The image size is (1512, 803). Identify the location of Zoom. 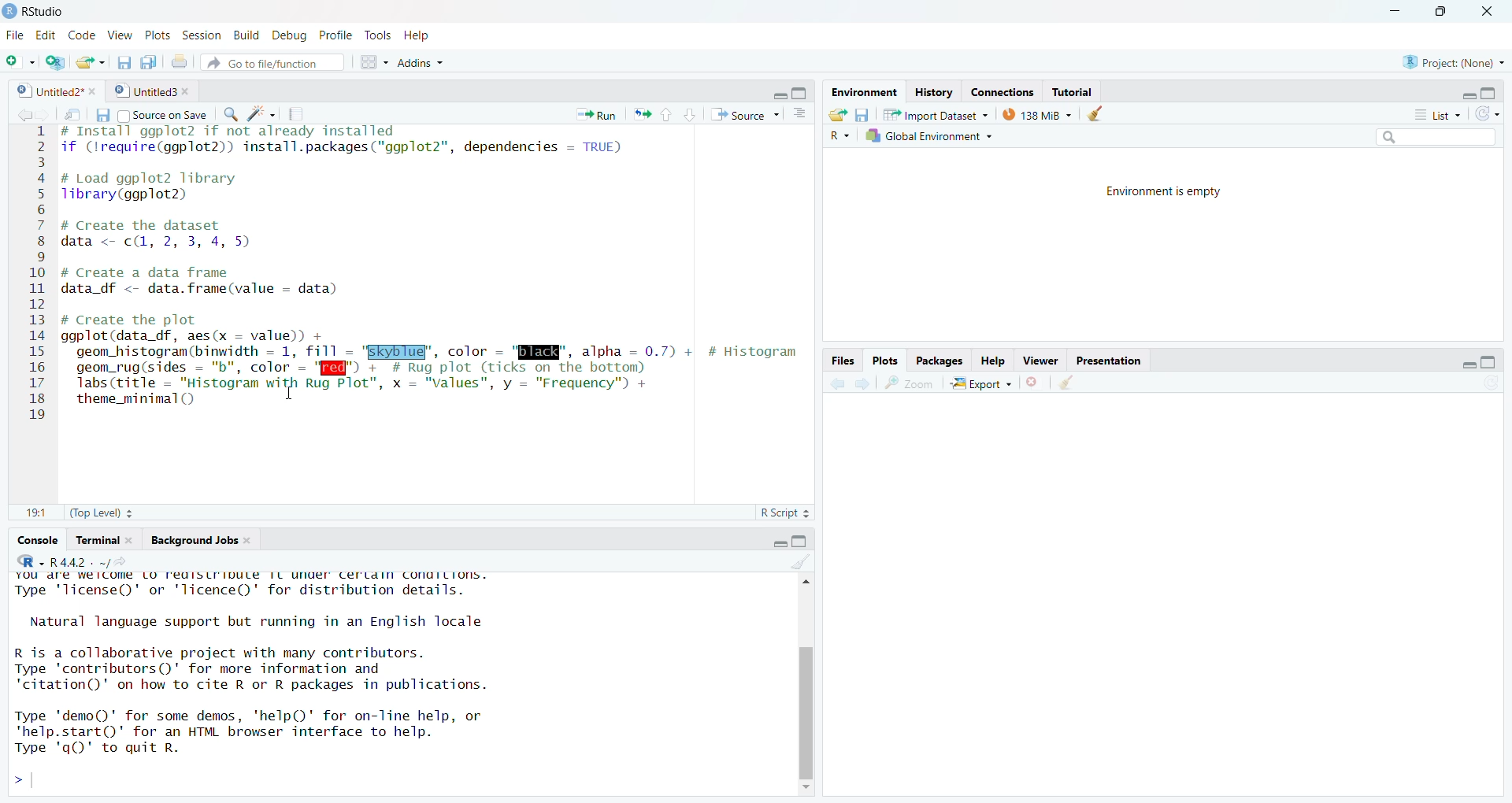
(914, 383).